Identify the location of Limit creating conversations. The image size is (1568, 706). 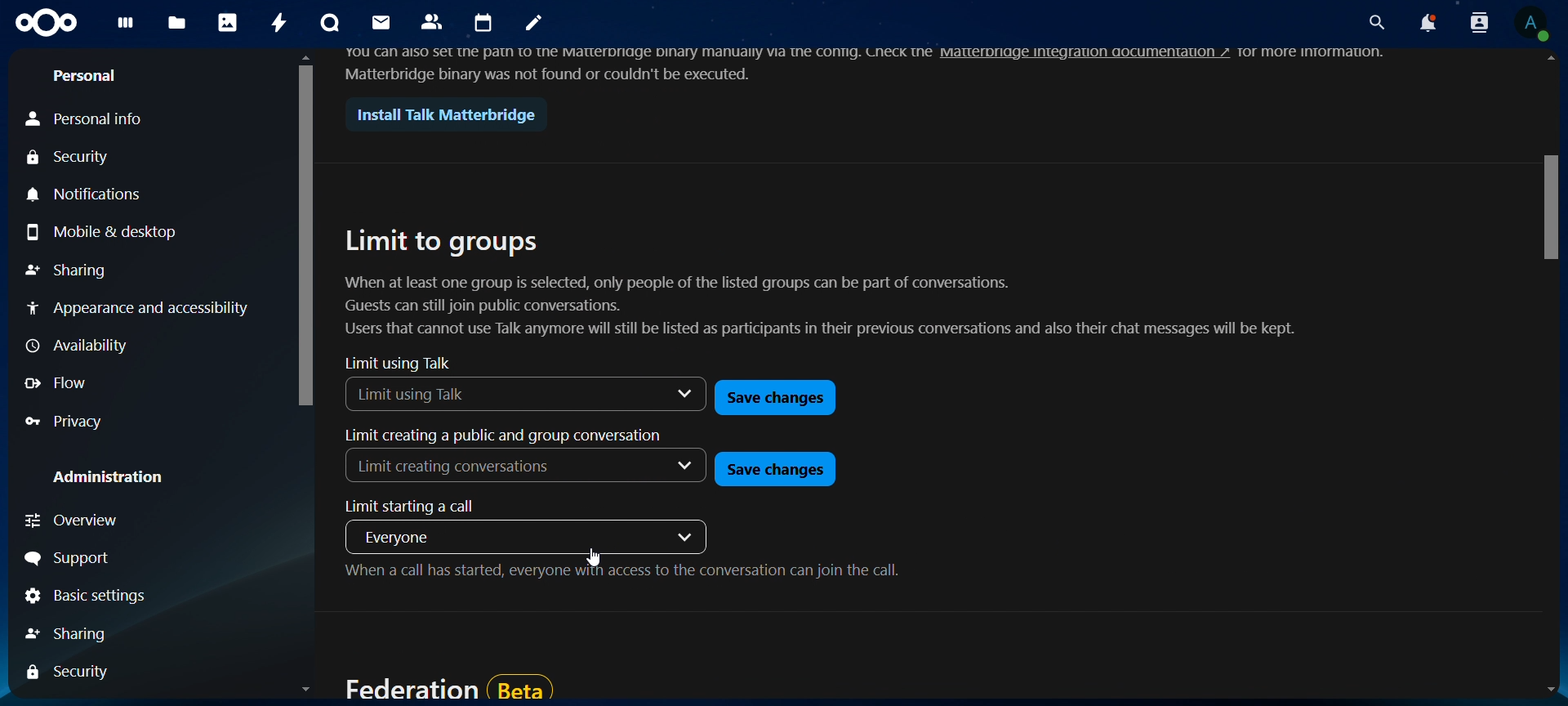
(528, 467).